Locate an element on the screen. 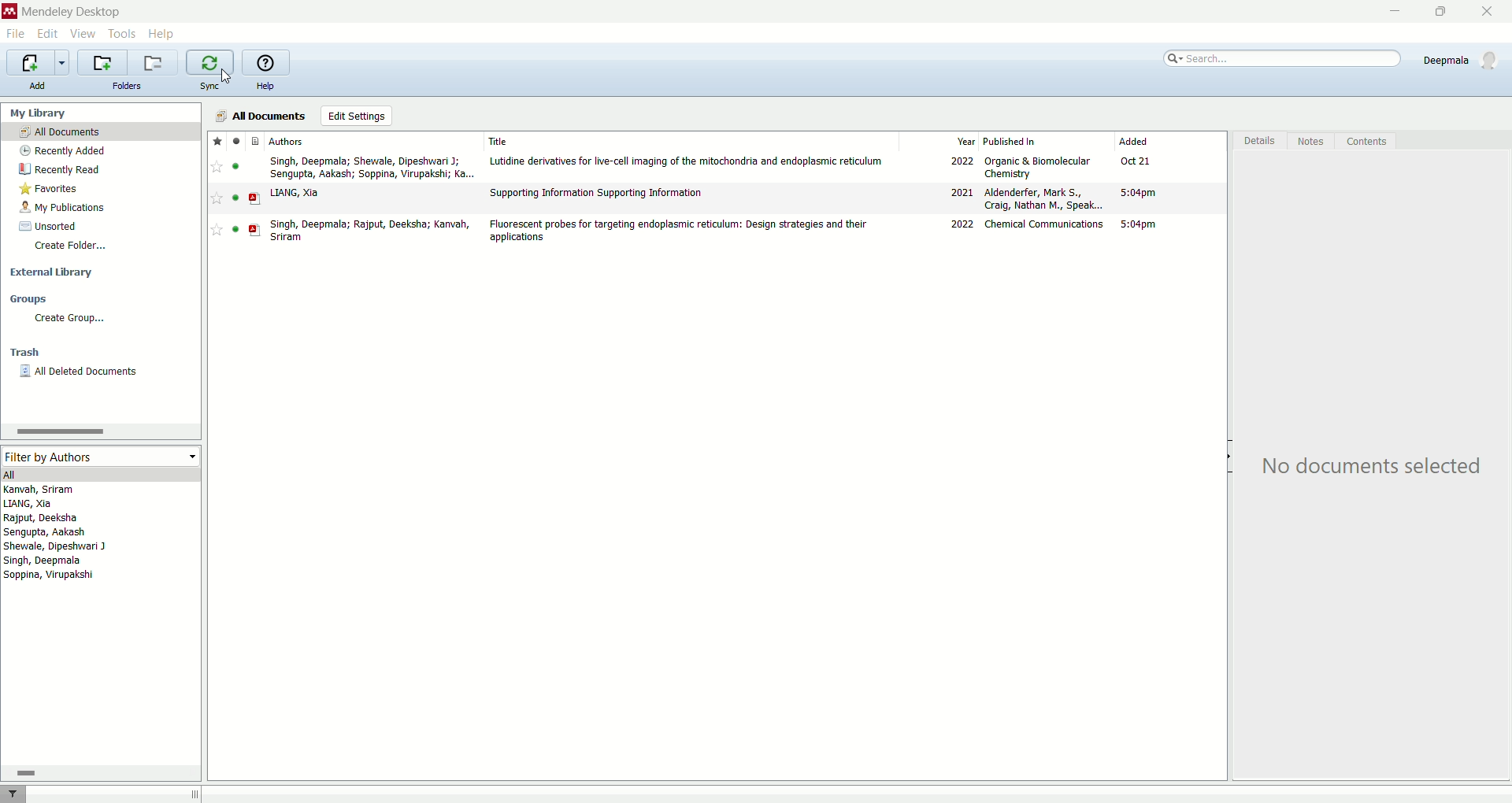 This screenshot has height=803, width=1512. Deepmala is located at coordinates (1461, 61).